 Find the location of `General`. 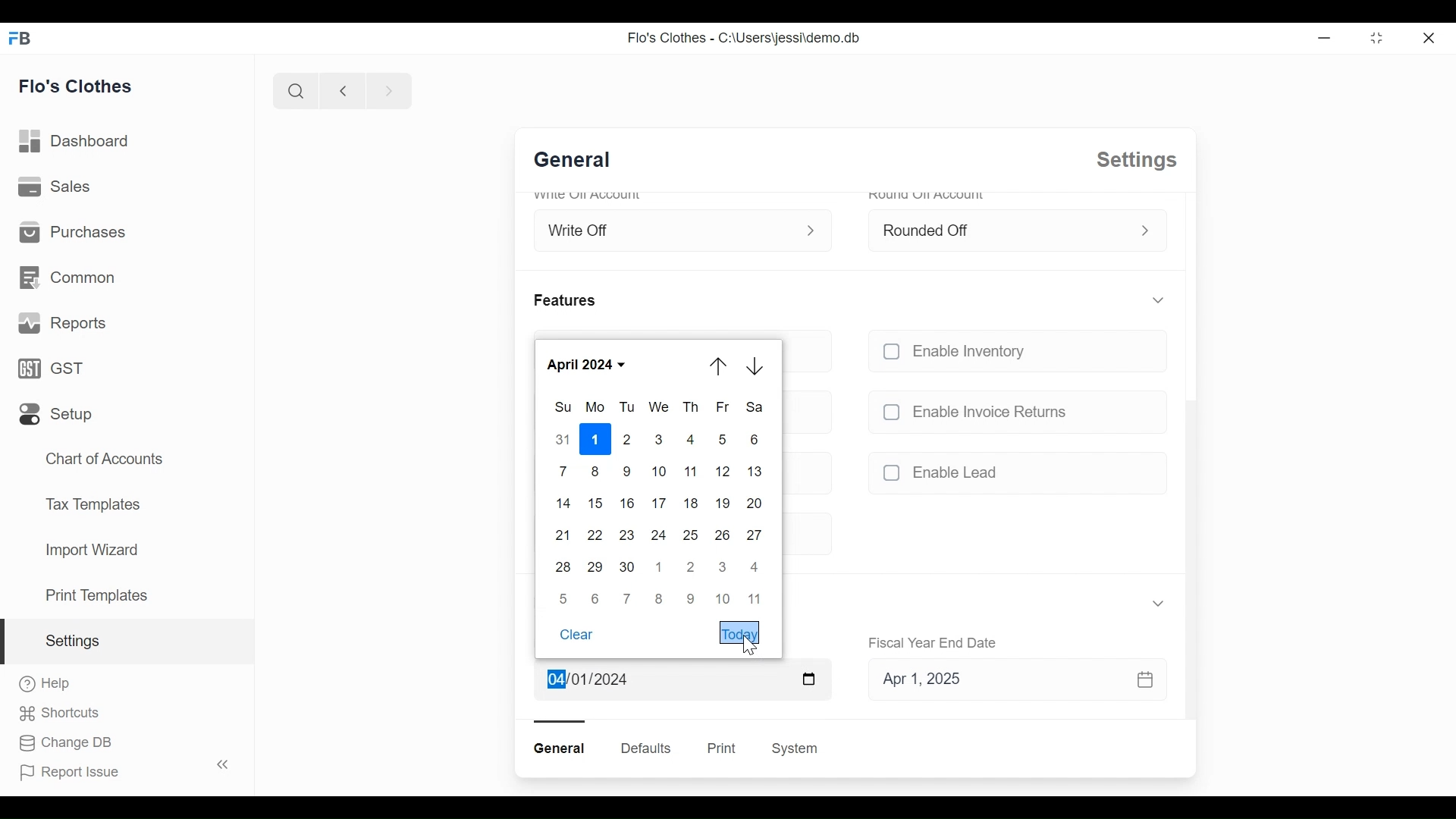

General is located at coordinates (562, 748).